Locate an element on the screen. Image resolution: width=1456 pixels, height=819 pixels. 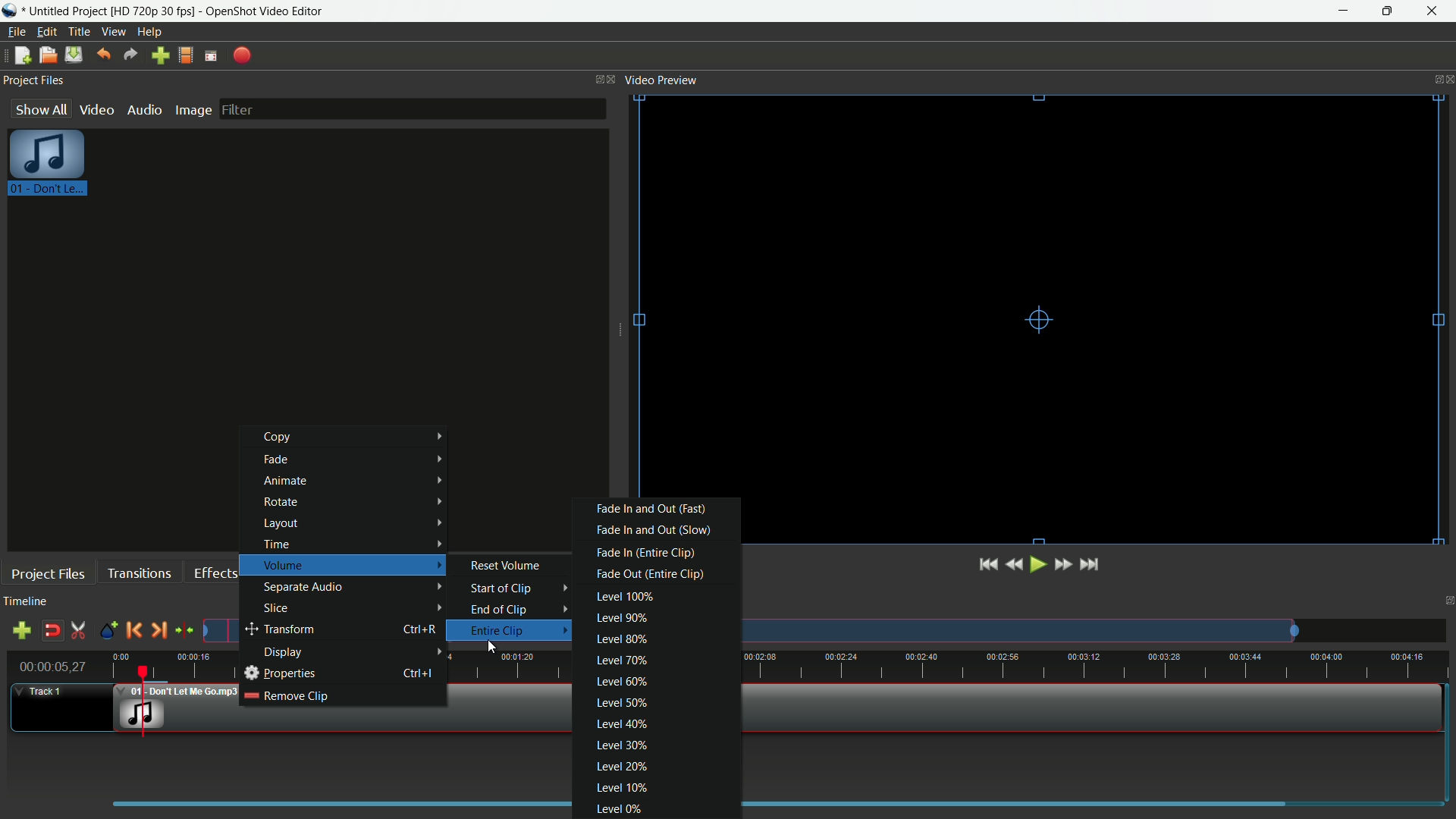
enable razor is located at coordinates (80, 631).